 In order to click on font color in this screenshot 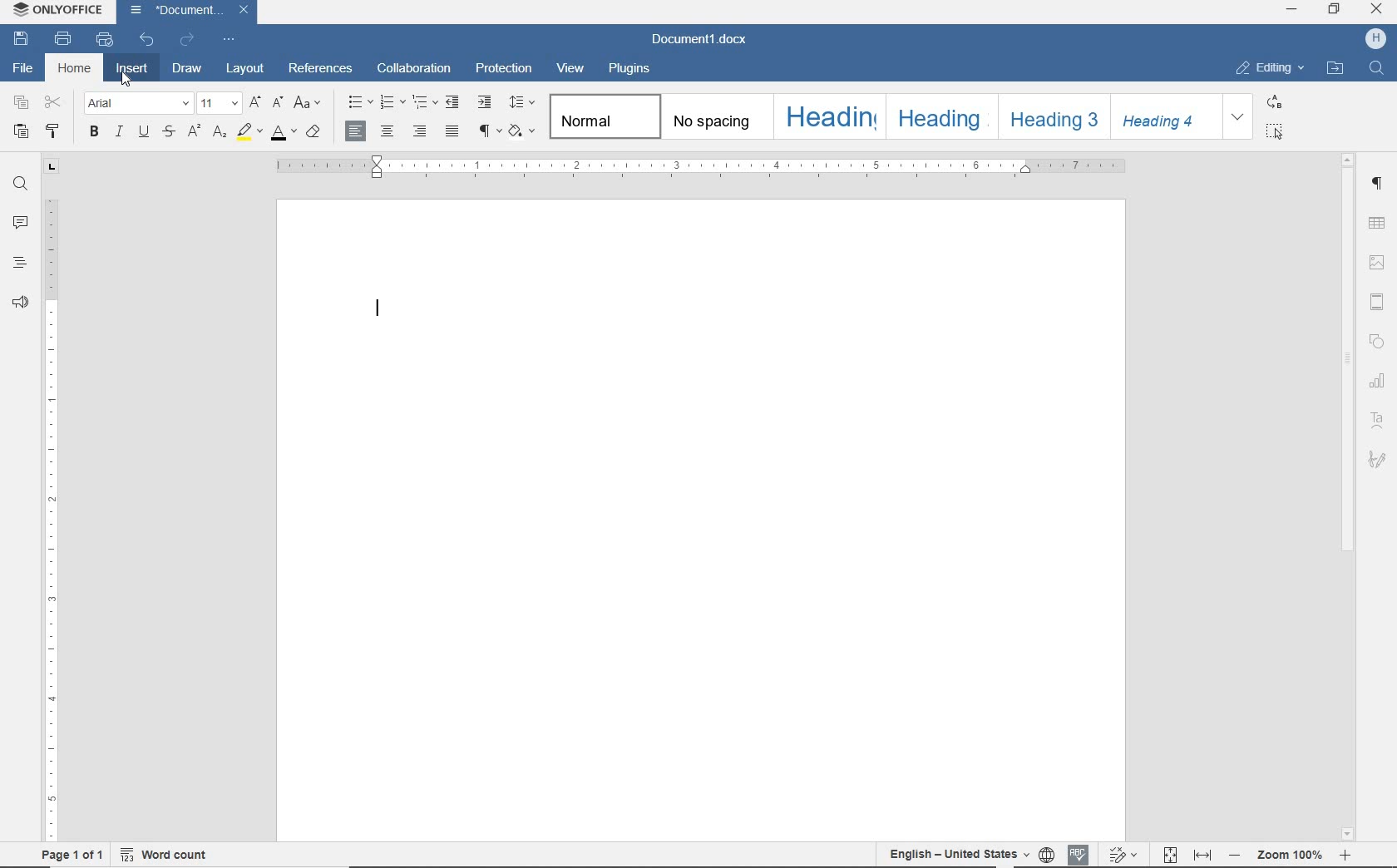, I will do `click(282, 132)`.